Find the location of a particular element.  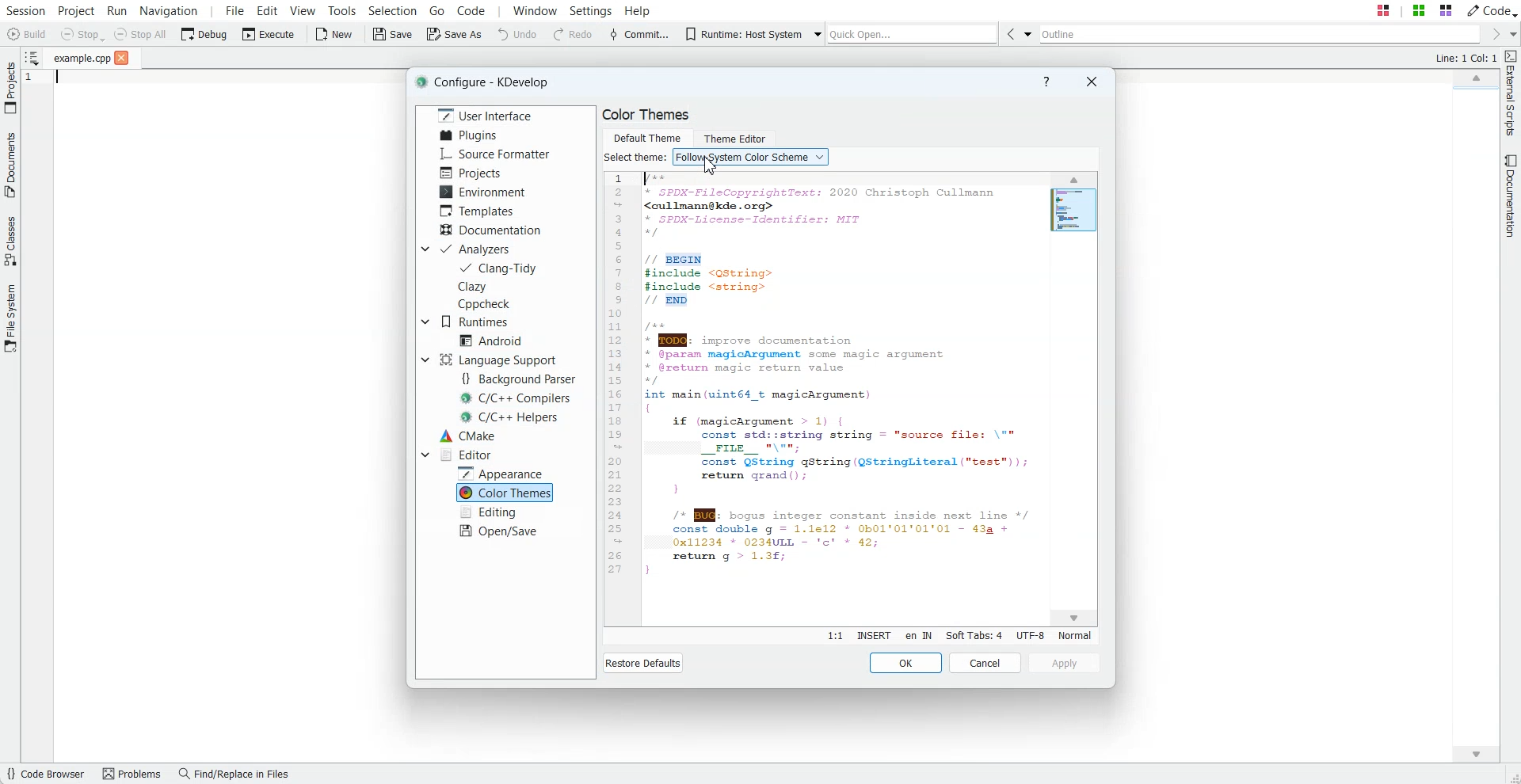

Open/Save is located at coordinates (499, 531).